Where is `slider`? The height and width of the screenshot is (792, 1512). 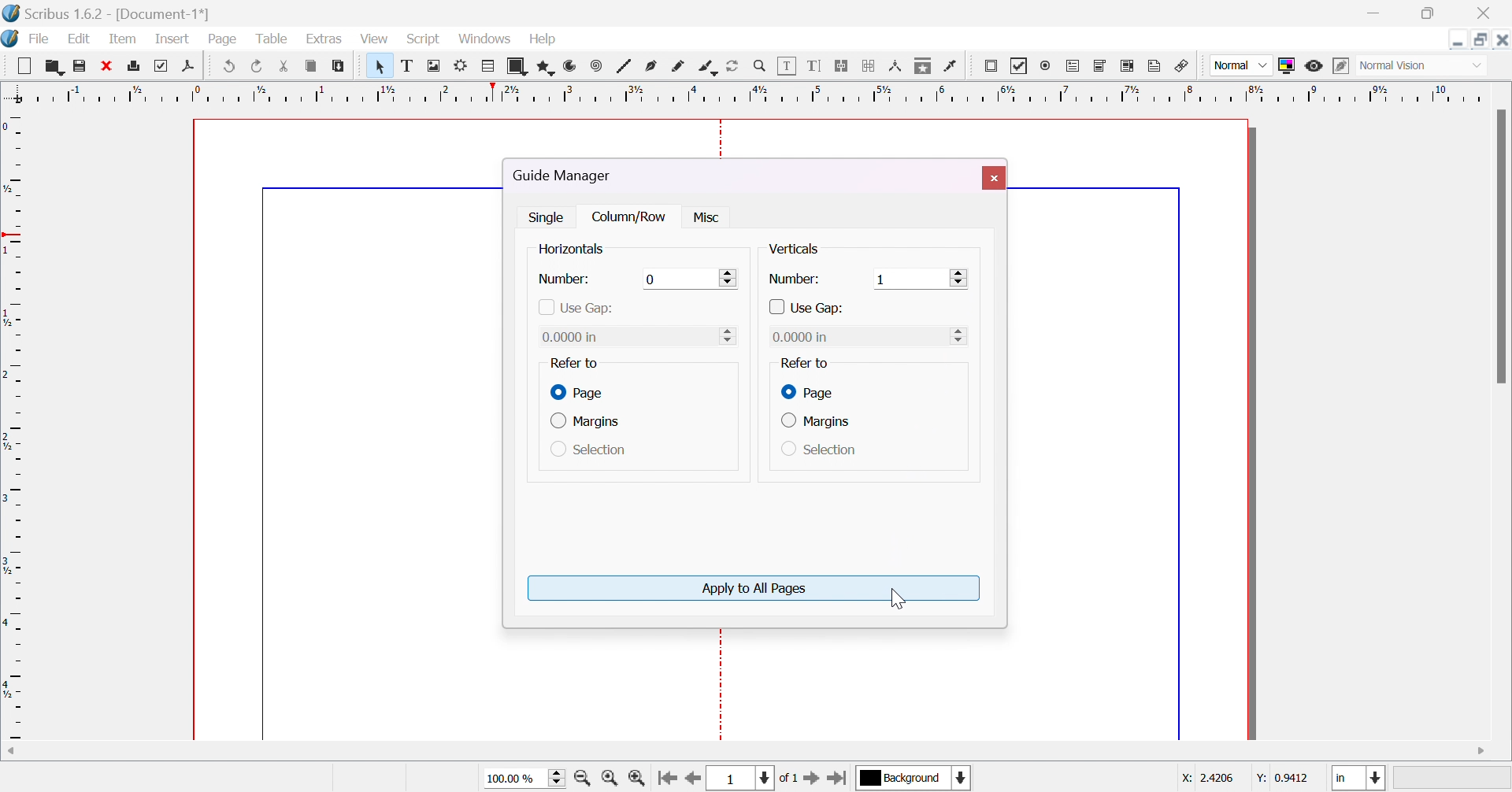
slider is located at coordinates (959, 278).